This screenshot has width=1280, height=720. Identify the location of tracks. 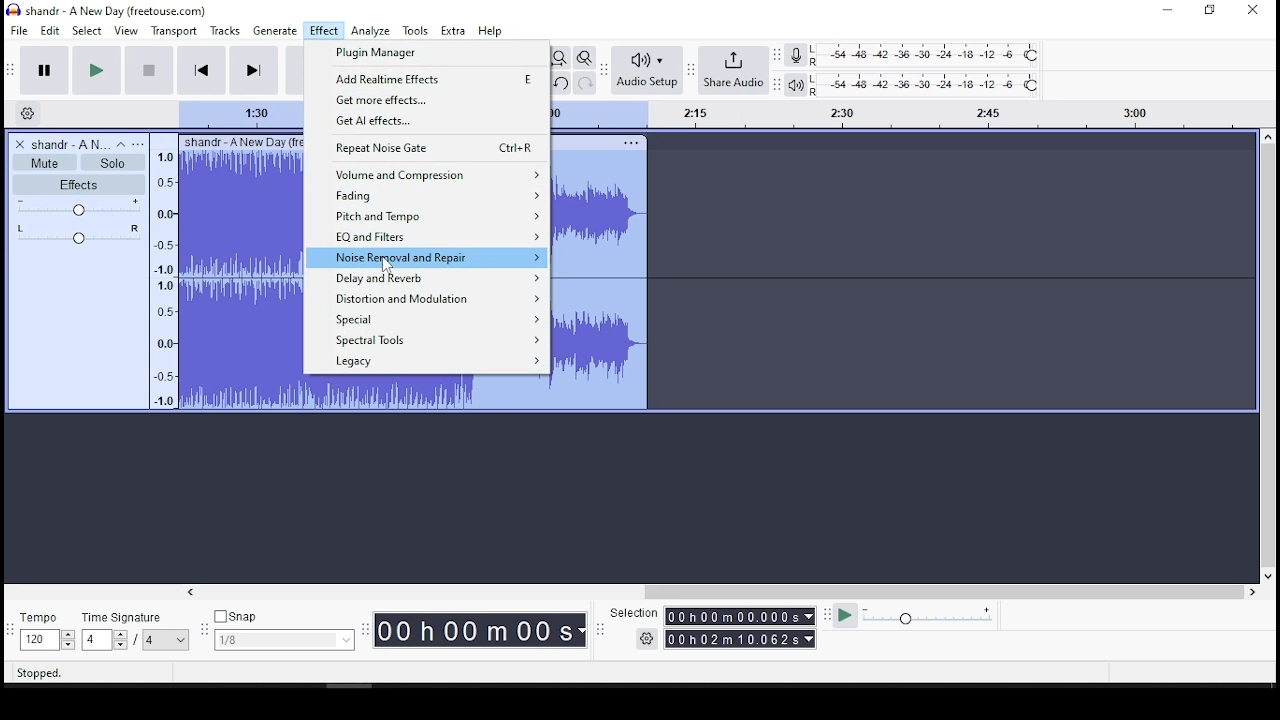
(225, 31).